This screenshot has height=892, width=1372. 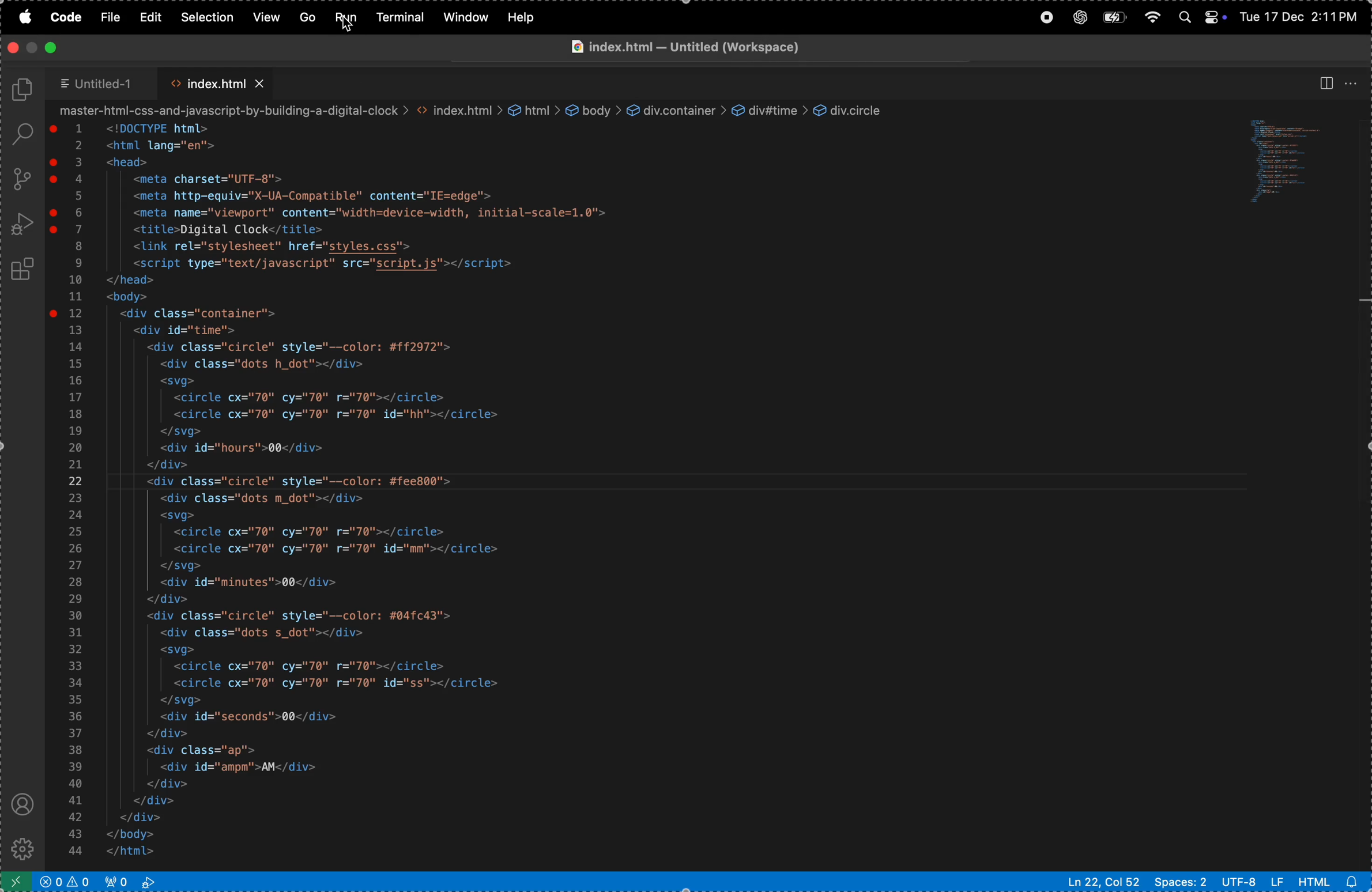 What do you see at coordinates (736, 50) in the screenshot?
I see `index.html. page title` at bounding box center [736, 50].